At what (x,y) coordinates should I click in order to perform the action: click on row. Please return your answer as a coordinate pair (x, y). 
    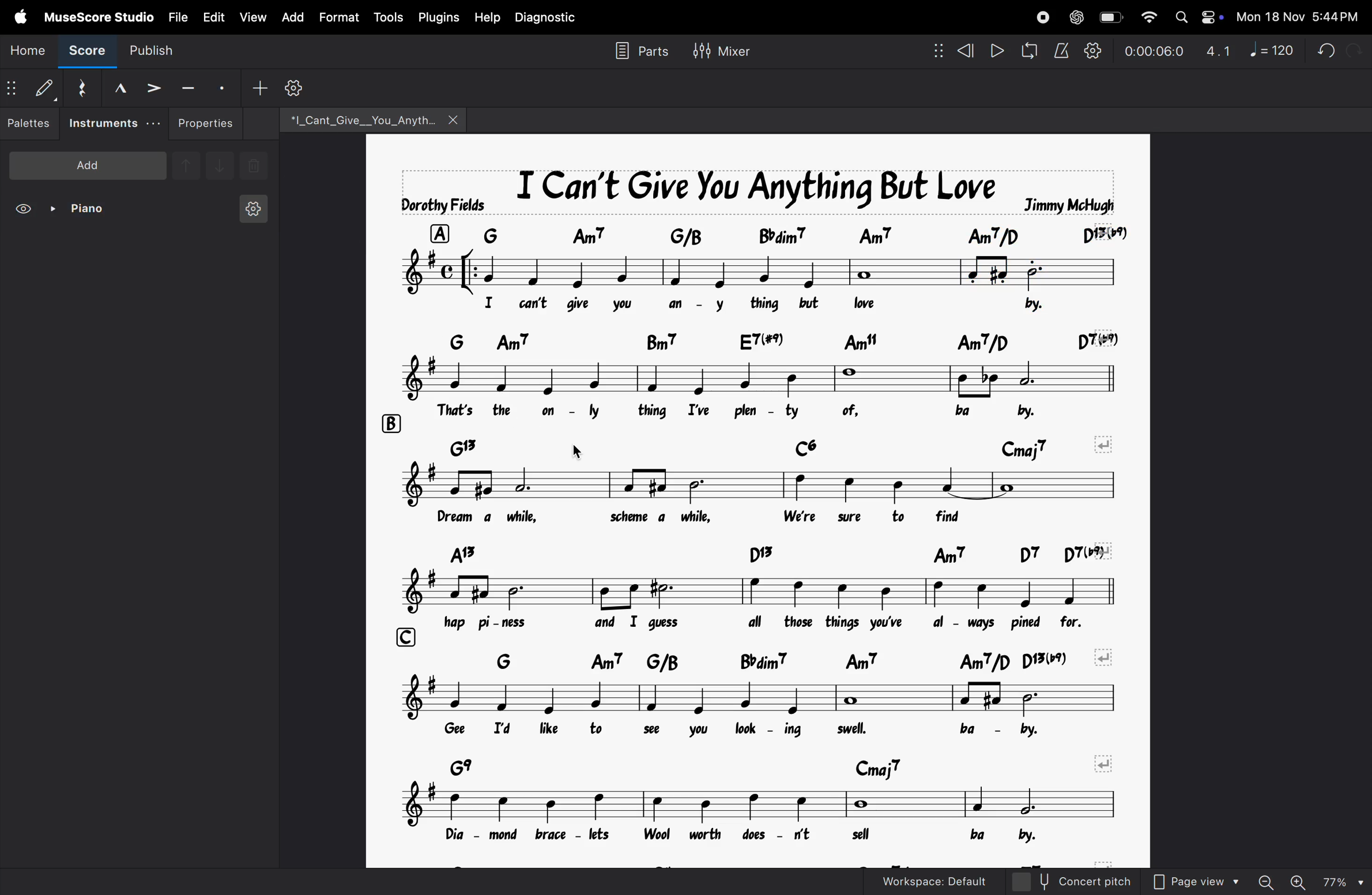
    Looking at the image, I should click on (402, 637).